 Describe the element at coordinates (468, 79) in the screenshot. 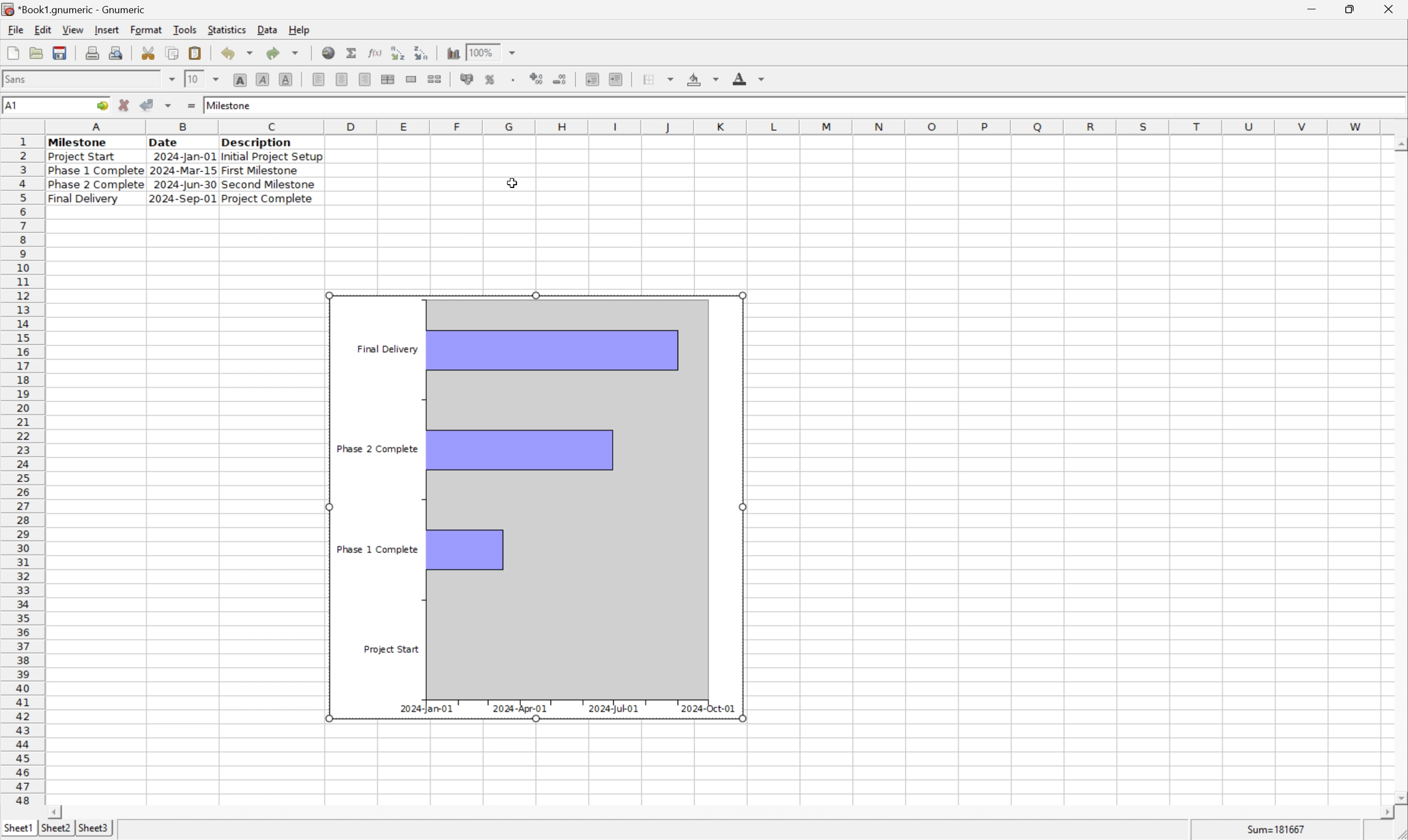

I see `format selection as accouting` at that location.